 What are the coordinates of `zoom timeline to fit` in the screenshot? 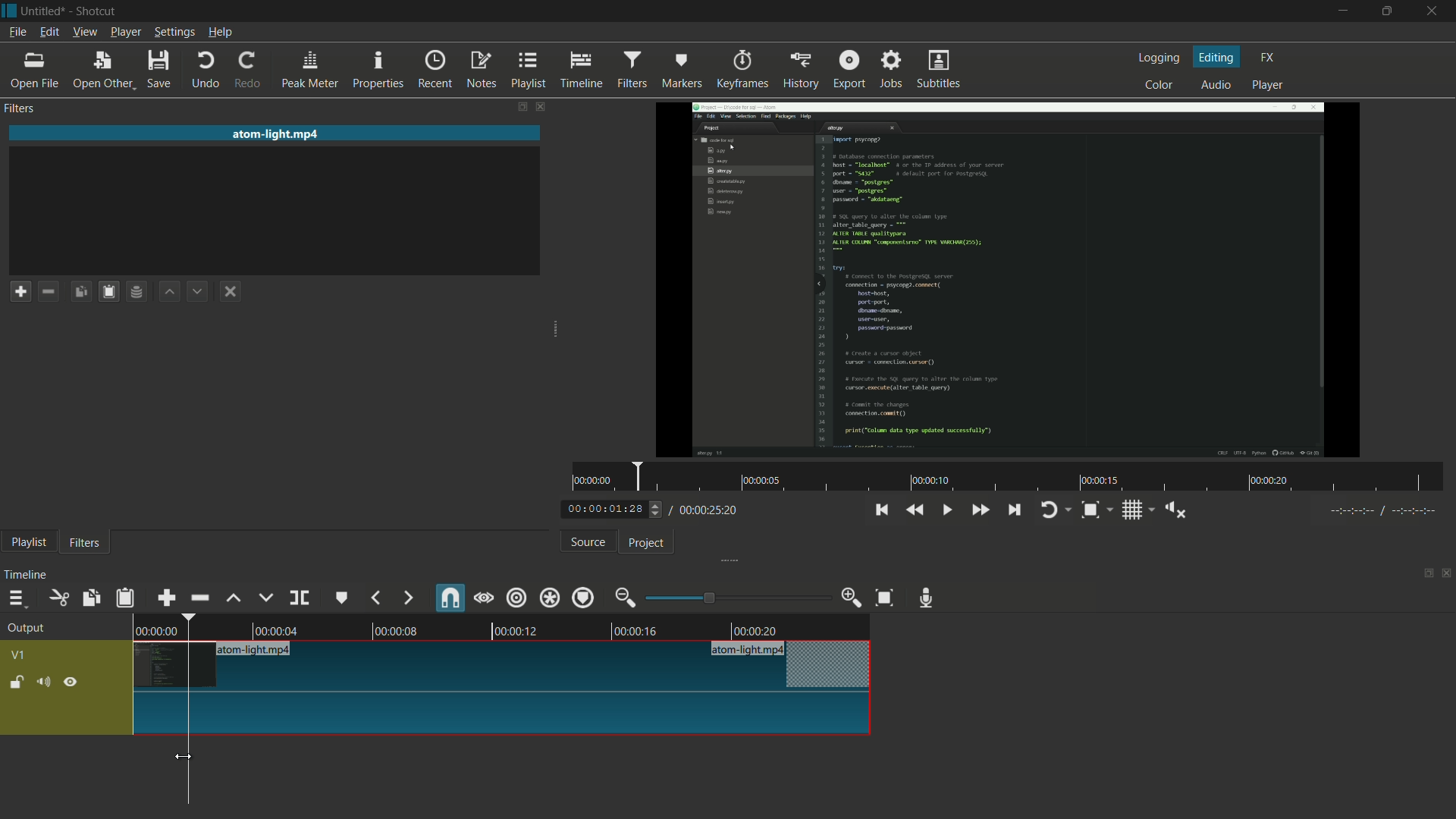 It's located at (1097, 510).